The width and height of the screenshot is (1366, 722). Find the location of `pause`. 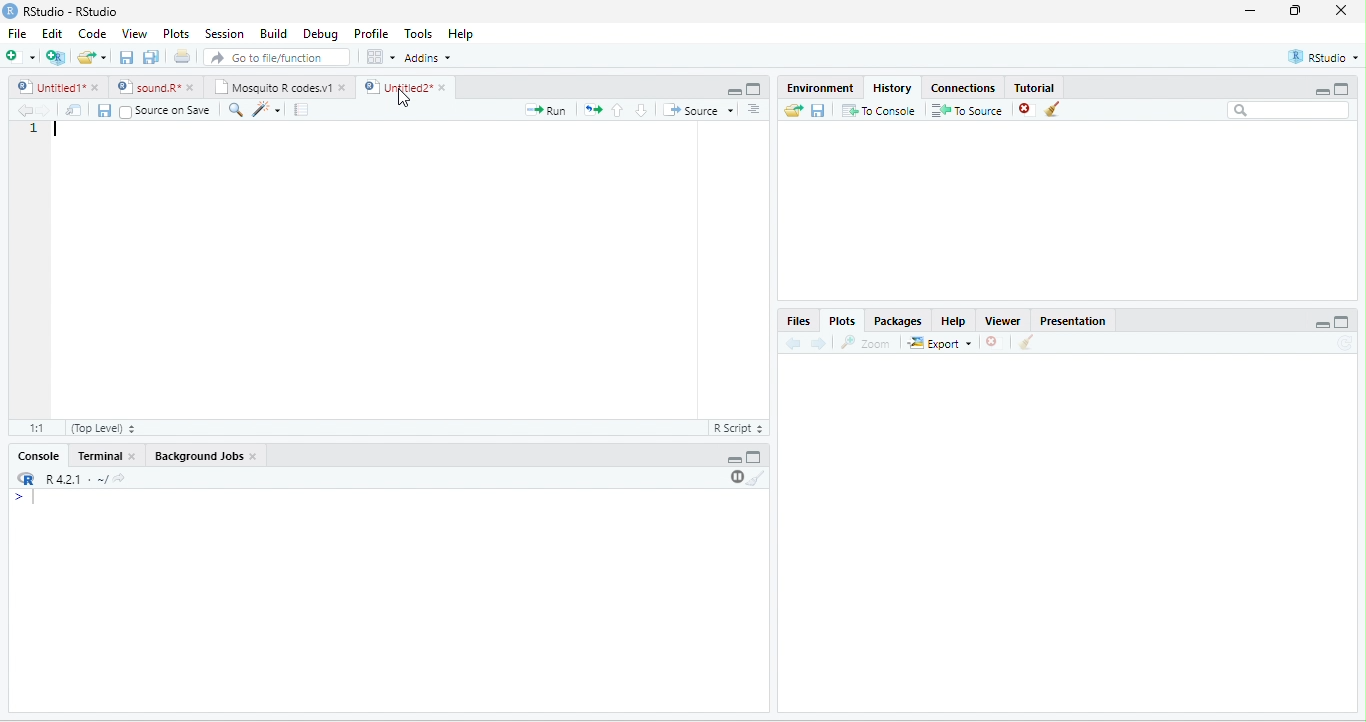

pause is located at coordinates (735, 477).